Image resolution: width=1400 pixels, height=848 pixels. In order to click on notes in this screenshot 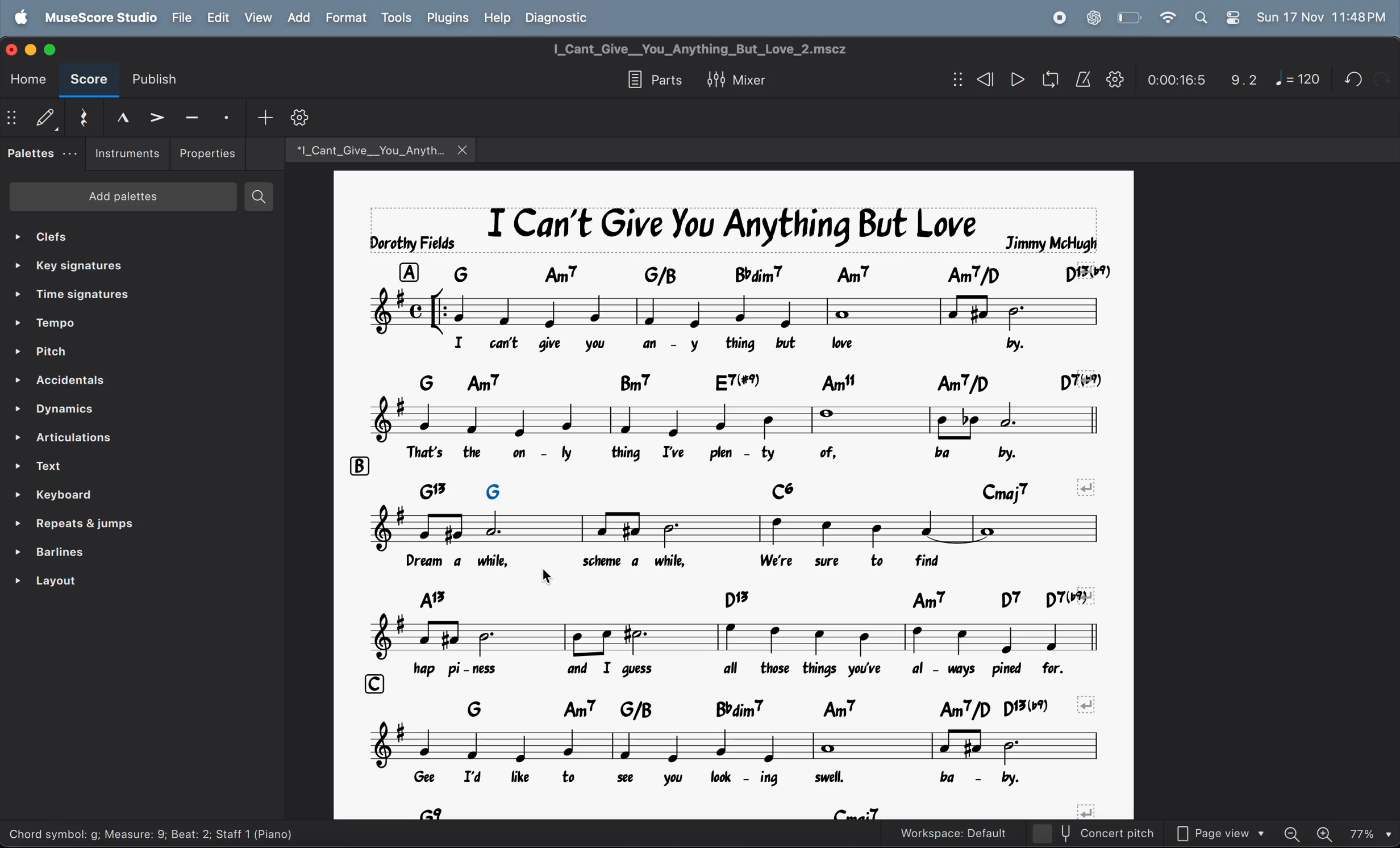, I will do `click(735, 638)`.